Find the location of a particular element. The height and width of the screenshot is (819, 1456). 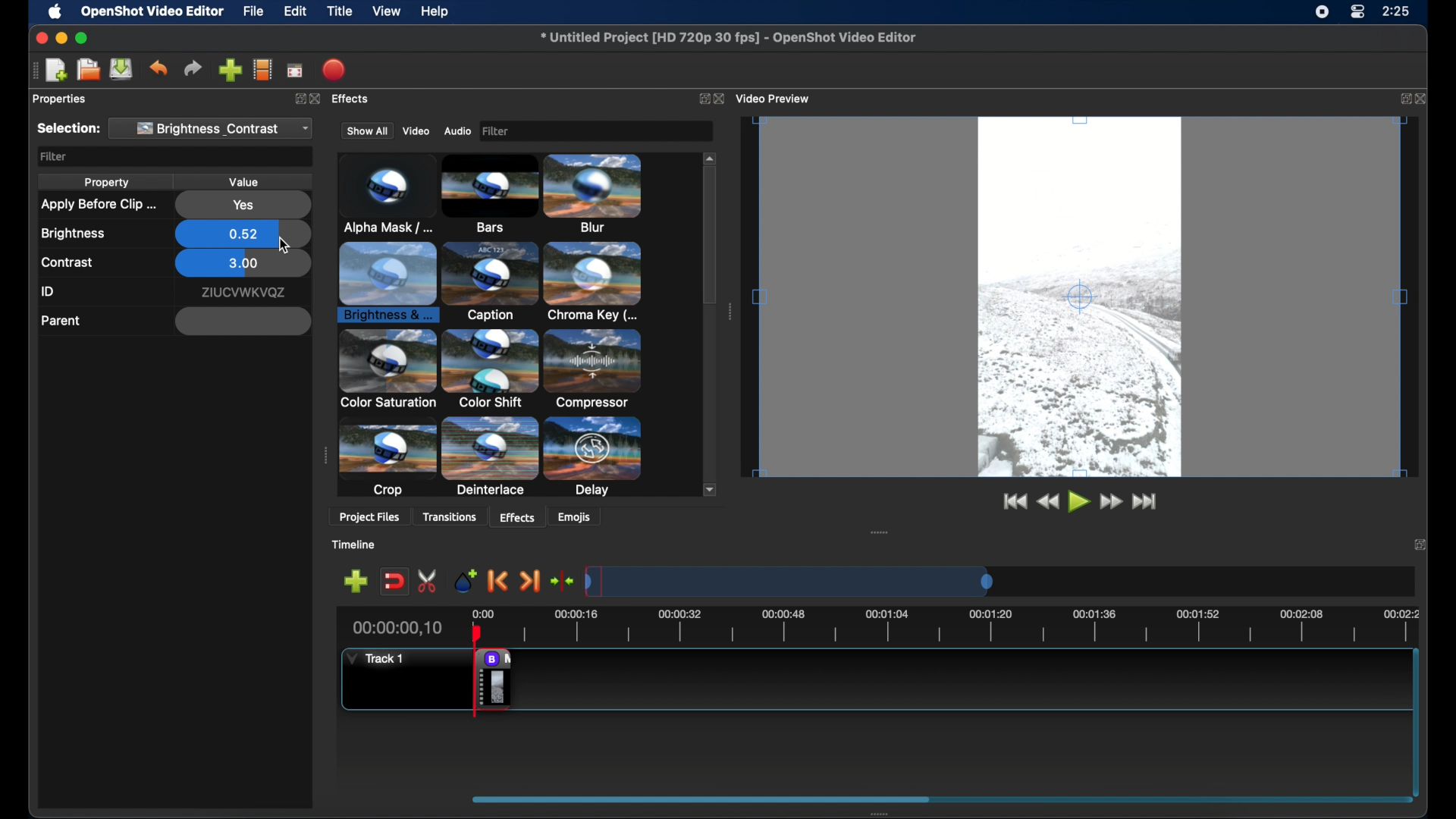

close is located at coordinates (723, 99).